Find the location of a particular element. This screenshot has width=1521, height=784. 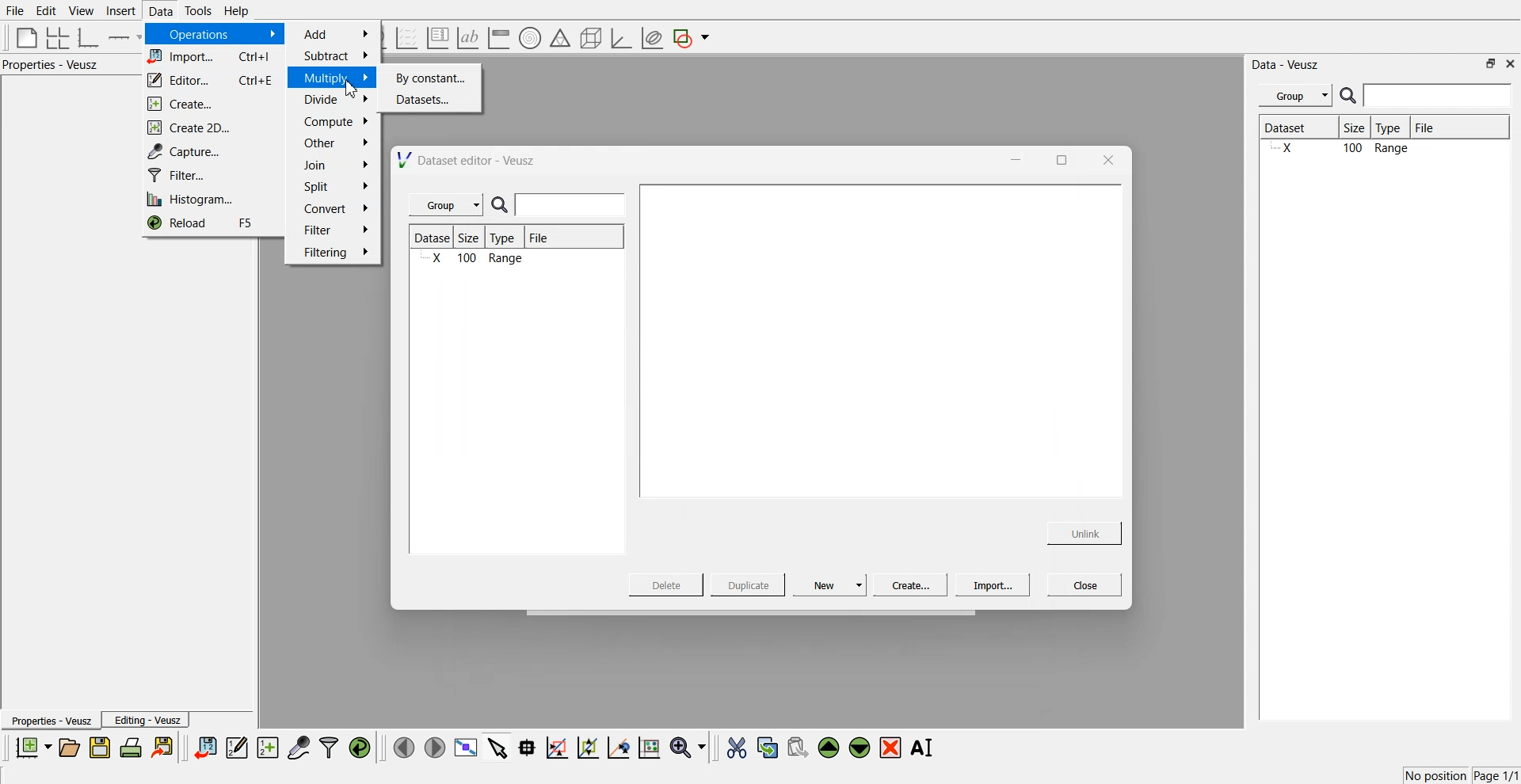

Create... is located at coordinates (208, 105).